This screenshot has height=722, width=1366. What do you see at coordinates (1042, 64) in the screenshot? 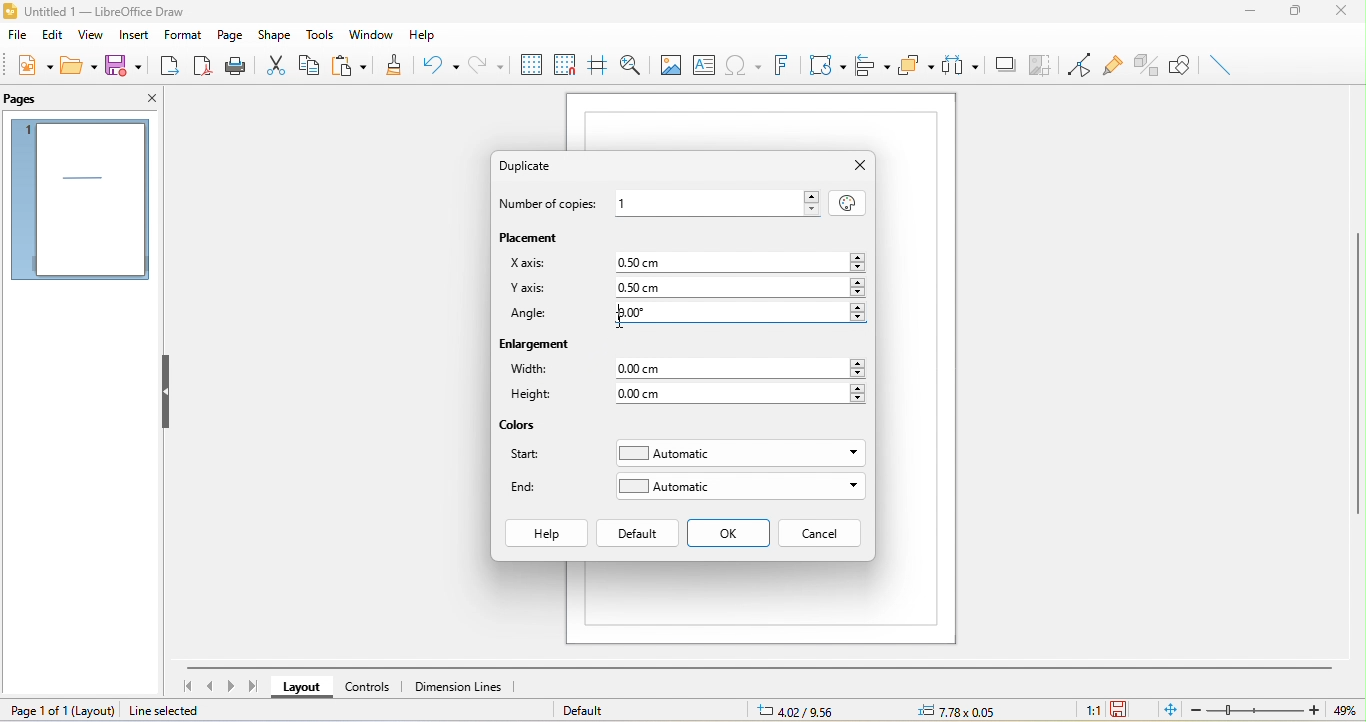
I see `crop image` at bounding box center [1042, 64].